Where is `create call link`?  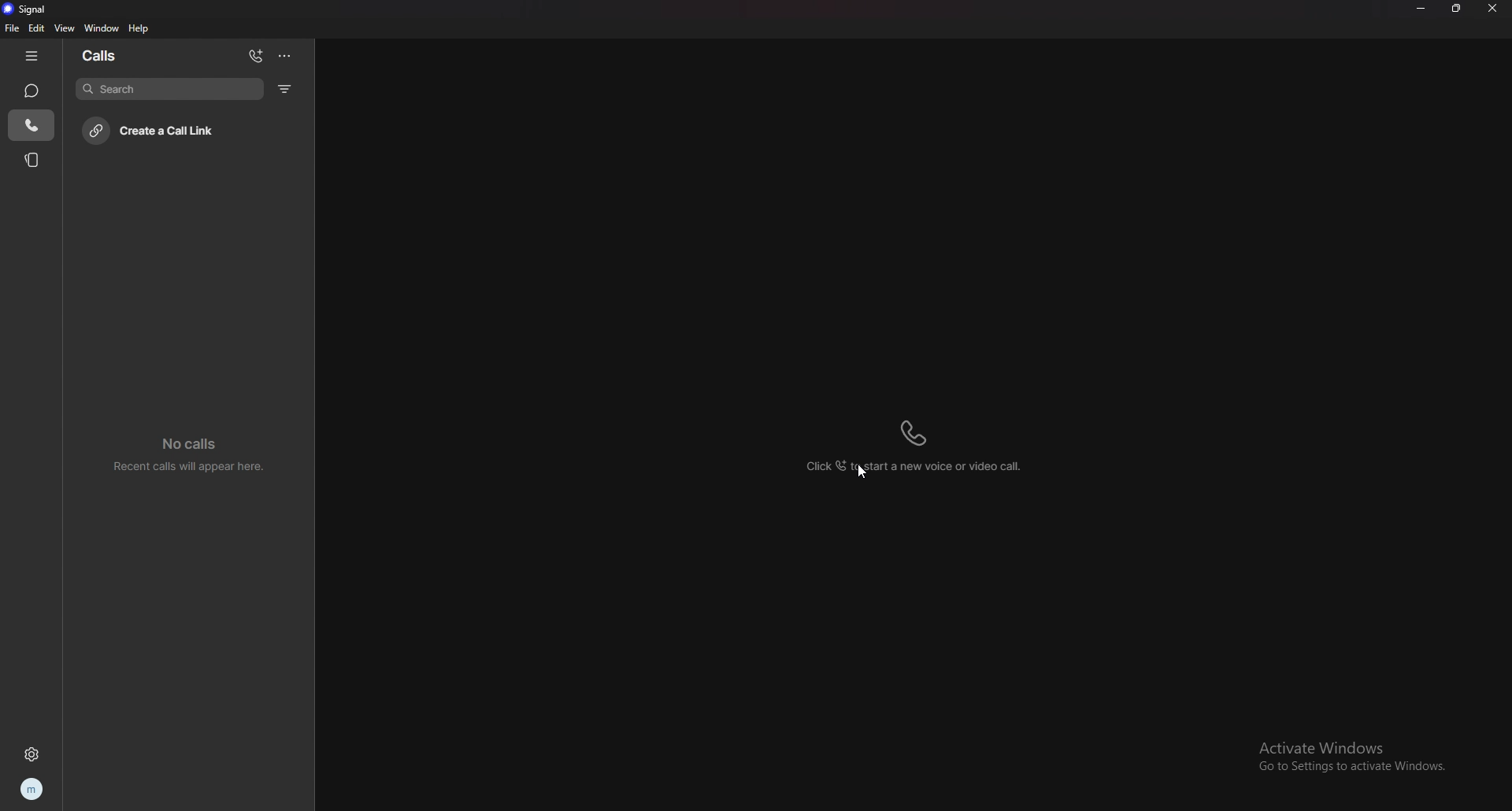
create call link is located at coordinates (194, 131).